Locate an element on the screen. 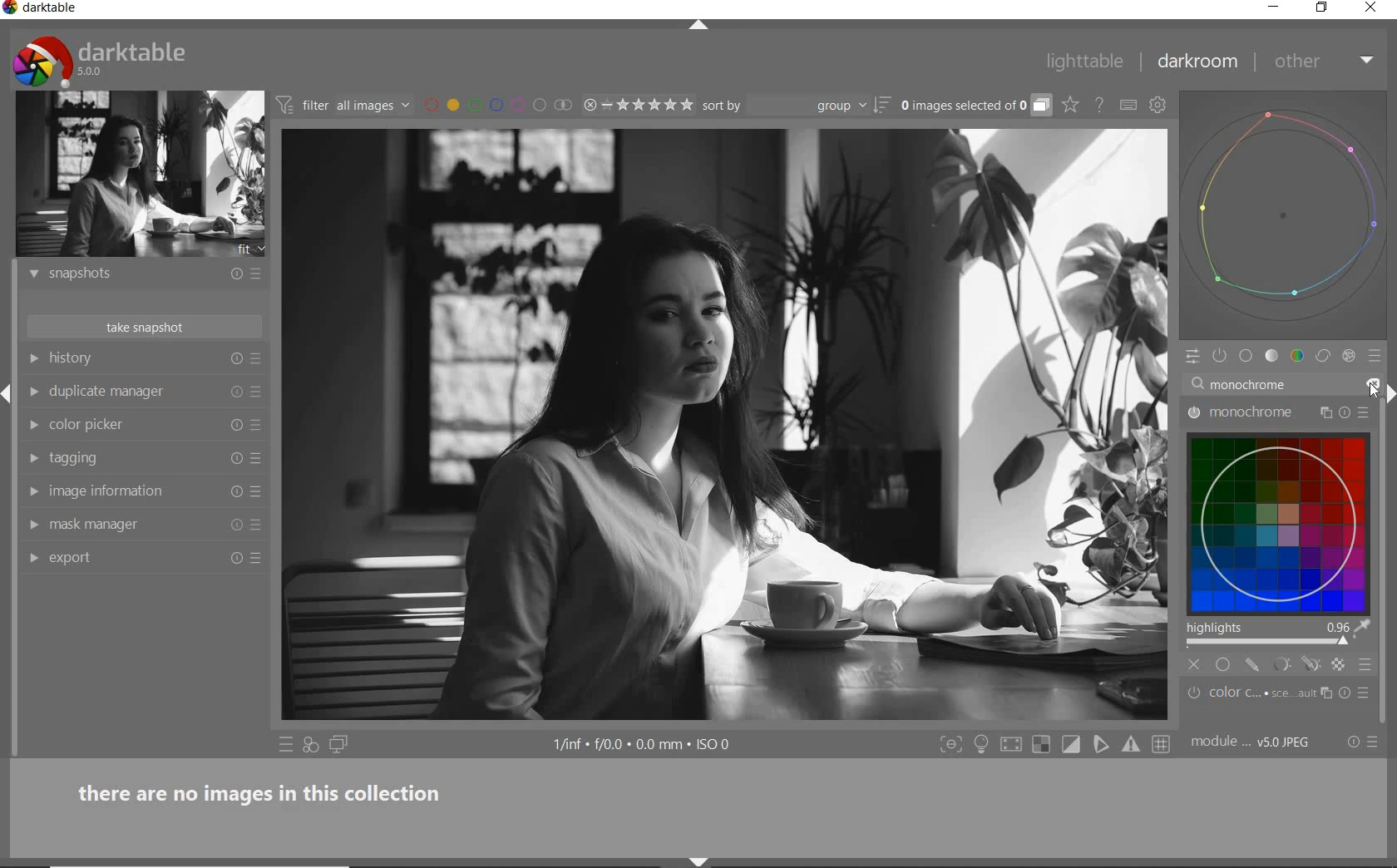 The height and width of the screenshot is (868, 1397). preset and preferences is located at coordinates (260, 426).